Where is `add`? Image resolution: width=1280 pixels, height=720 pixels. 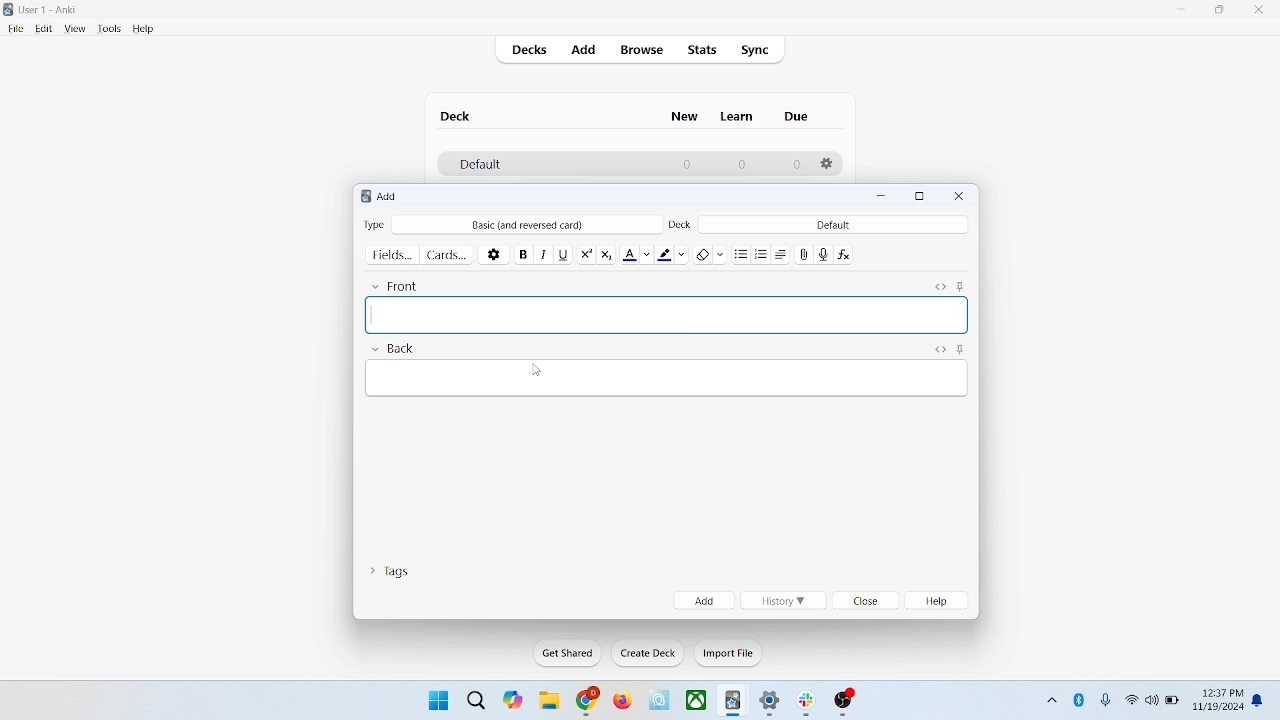
add is located at coordinates (704, 600).